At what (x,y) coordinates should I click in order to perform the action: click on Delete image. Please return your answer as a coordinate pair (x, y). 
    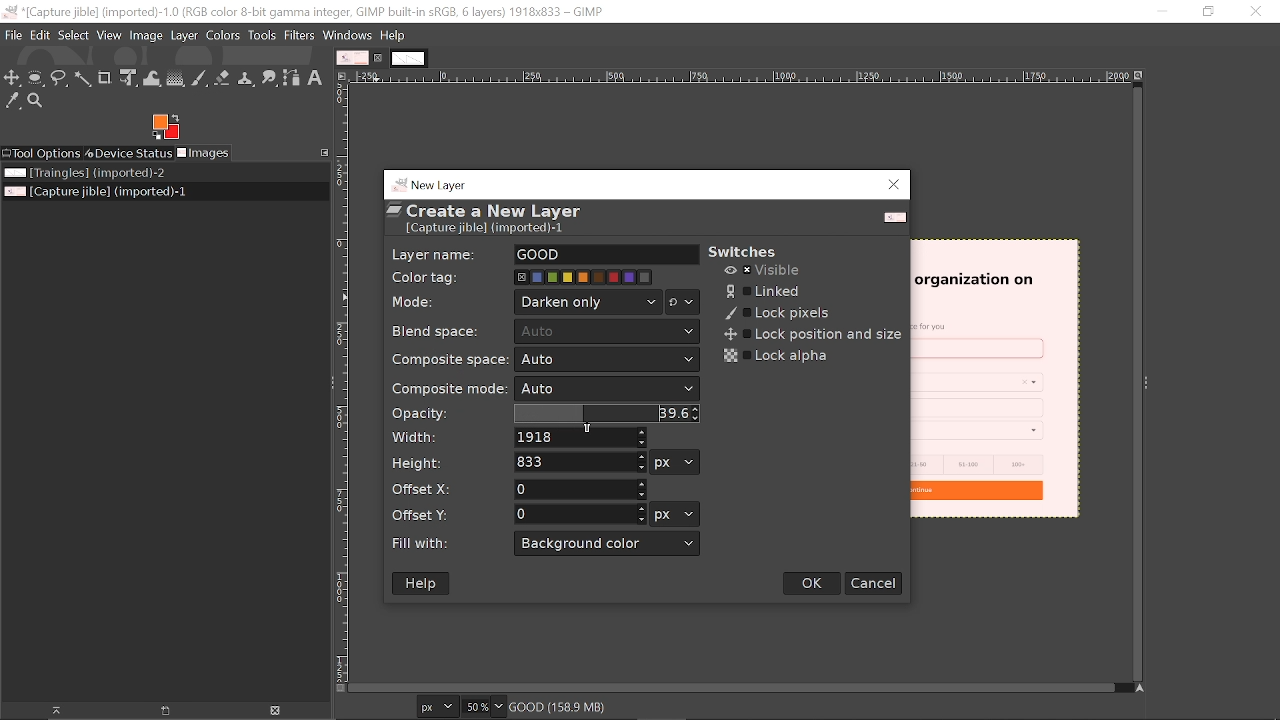
    Looking at the image, I should click on (275, 711).